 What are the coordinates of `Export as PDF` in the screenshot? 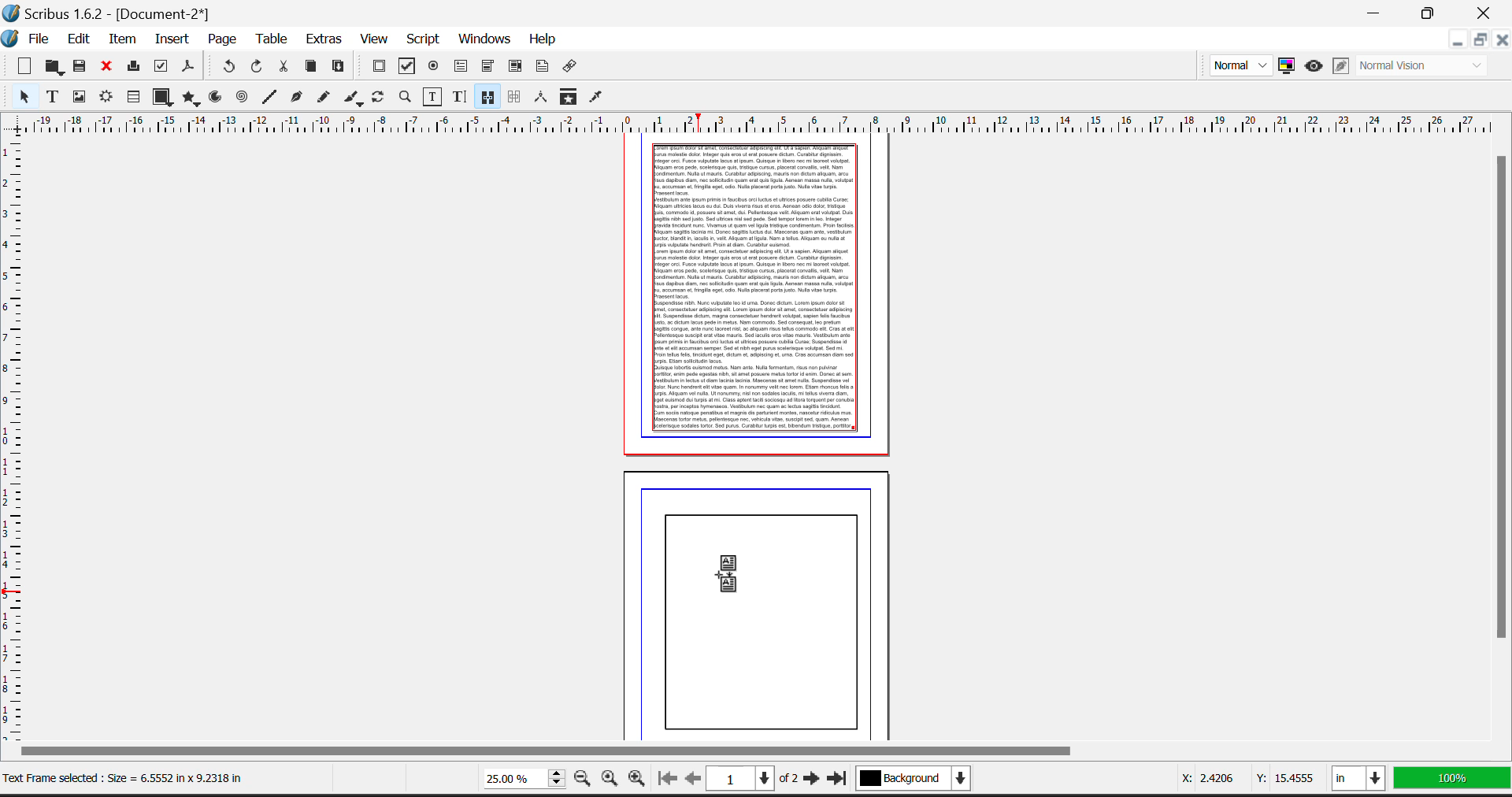 It's located at (189, 70).